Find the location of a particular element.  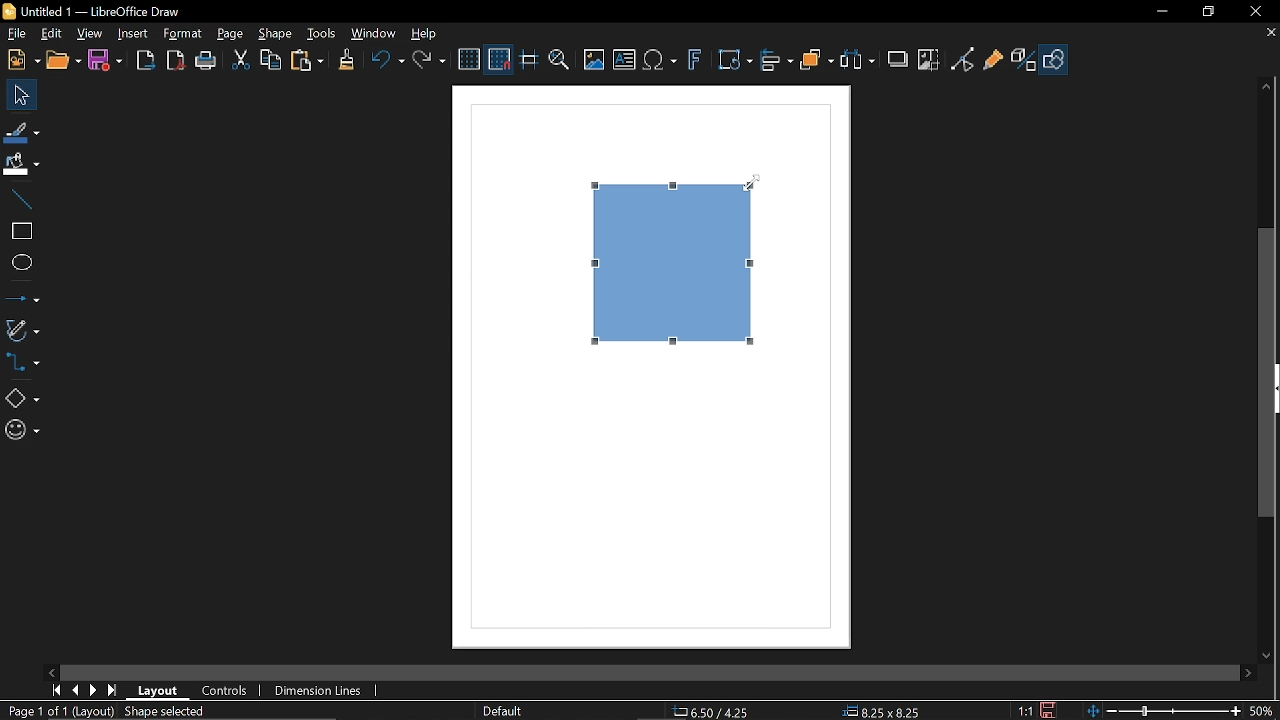

Ellipse  is located at coordinates (20, 263).